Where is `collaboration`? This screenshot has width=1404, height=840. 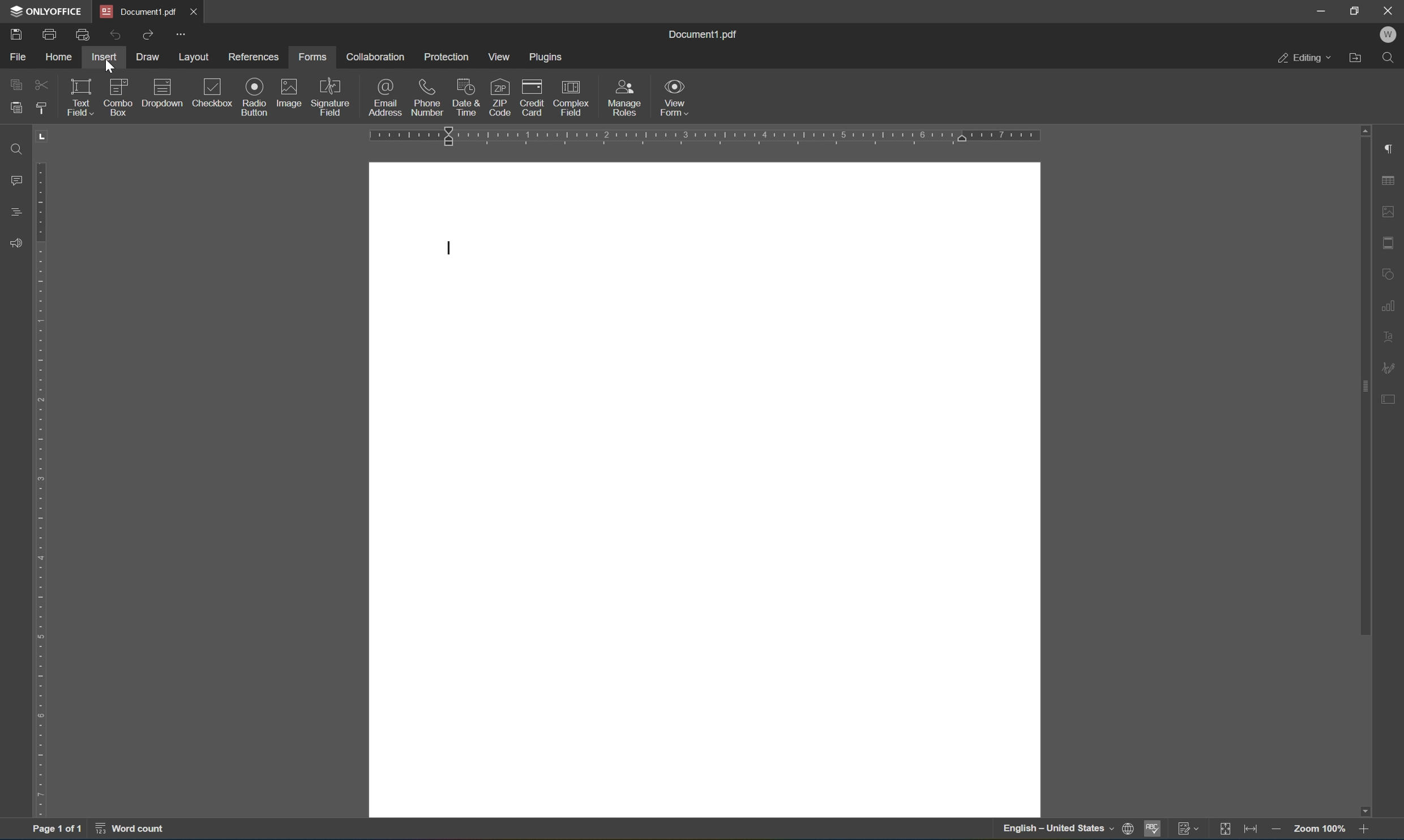 collaboration is located at coordinates (376, 57).